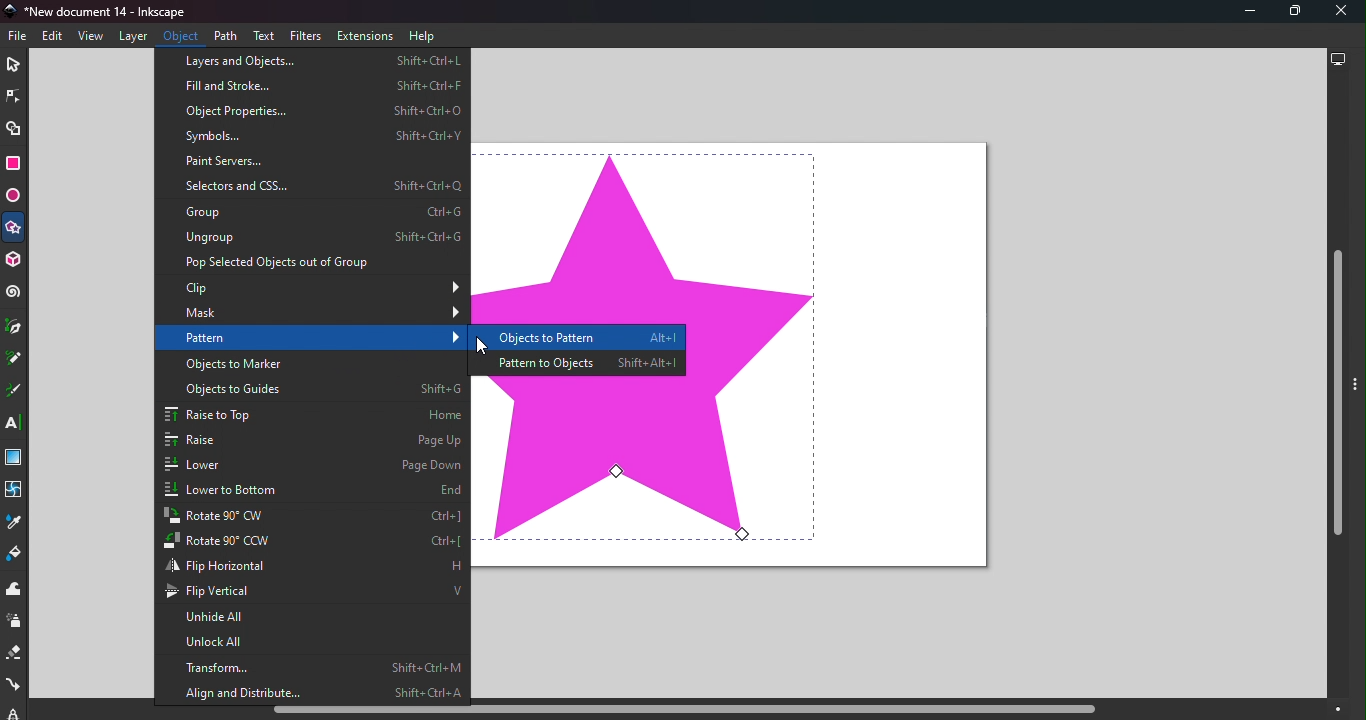 The width and height of the screenshot is (1366, 720). I want to click on Layers, so click(132, 37).